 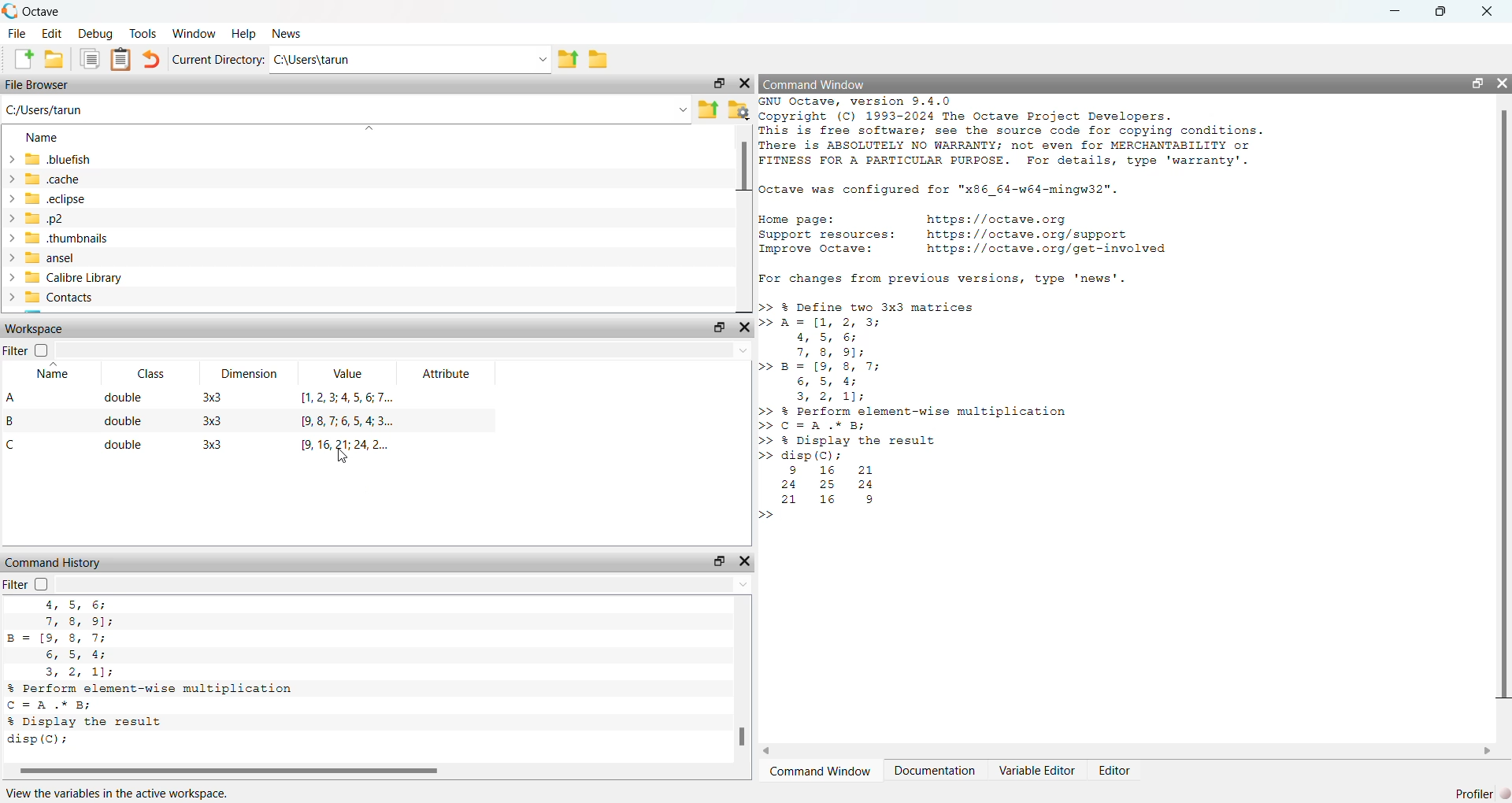 I want to click on minimize, so click(x=1395, y=13).